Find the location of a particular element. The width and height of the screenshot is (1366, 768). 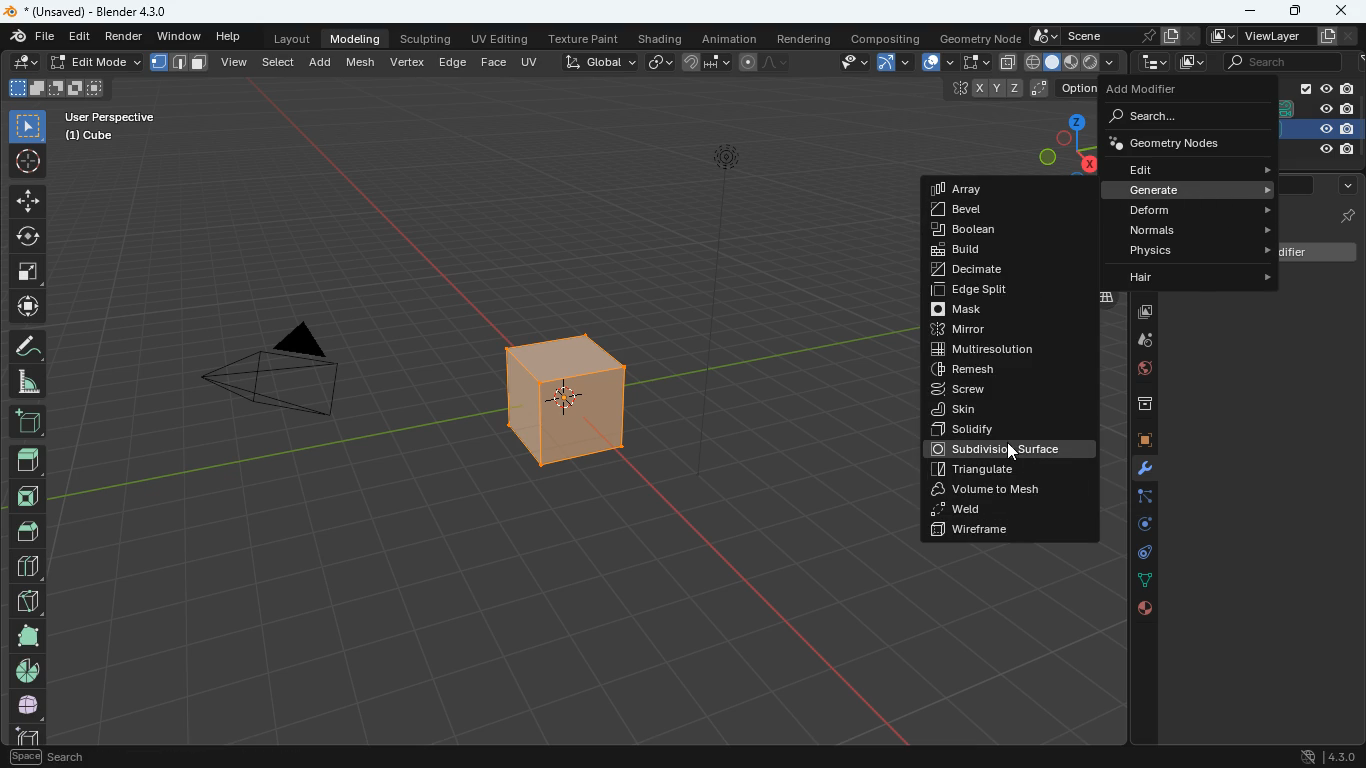

link is located at coordinates (661, 61).